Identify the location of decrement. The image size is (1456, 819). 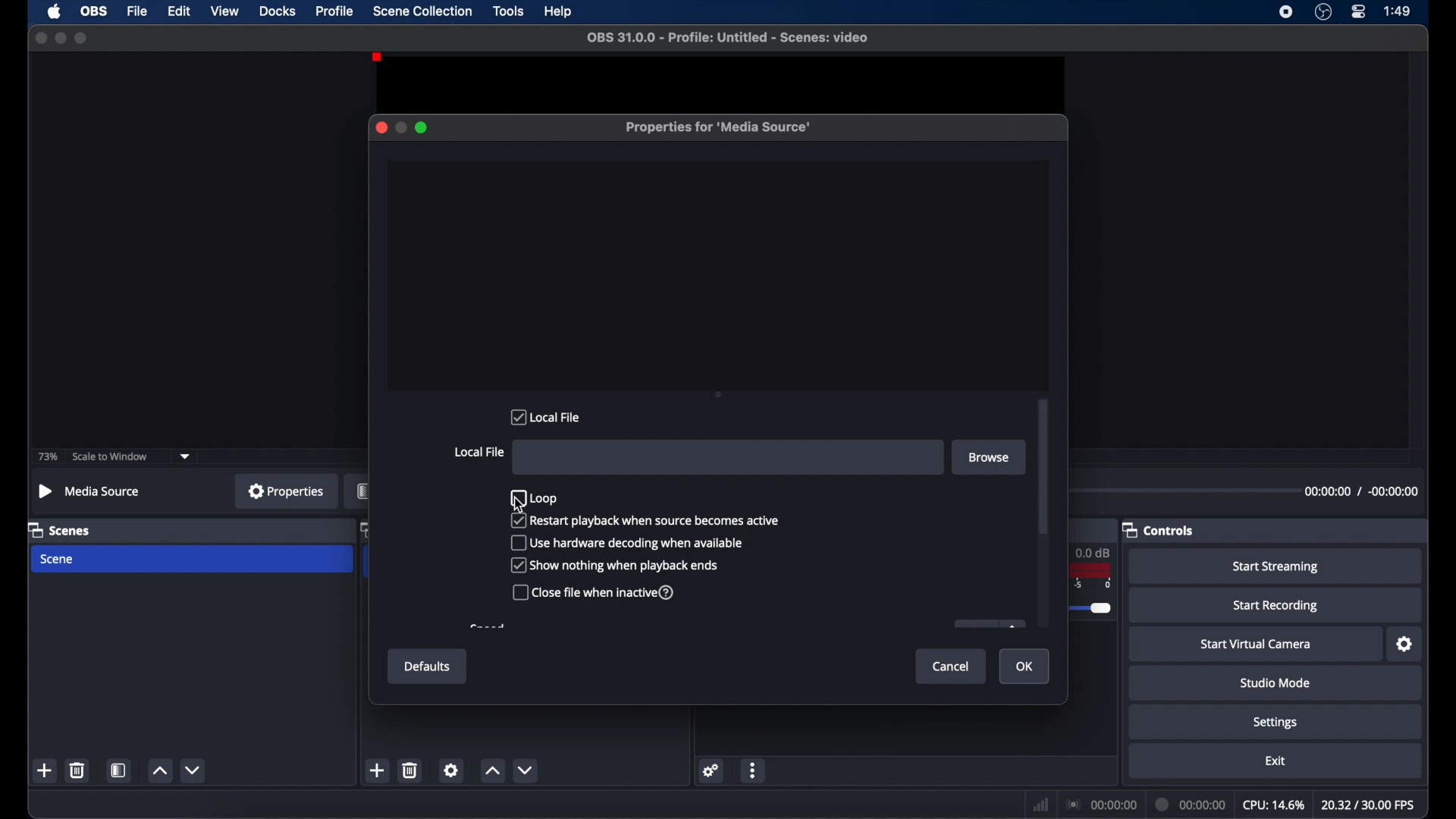
(526, 769).